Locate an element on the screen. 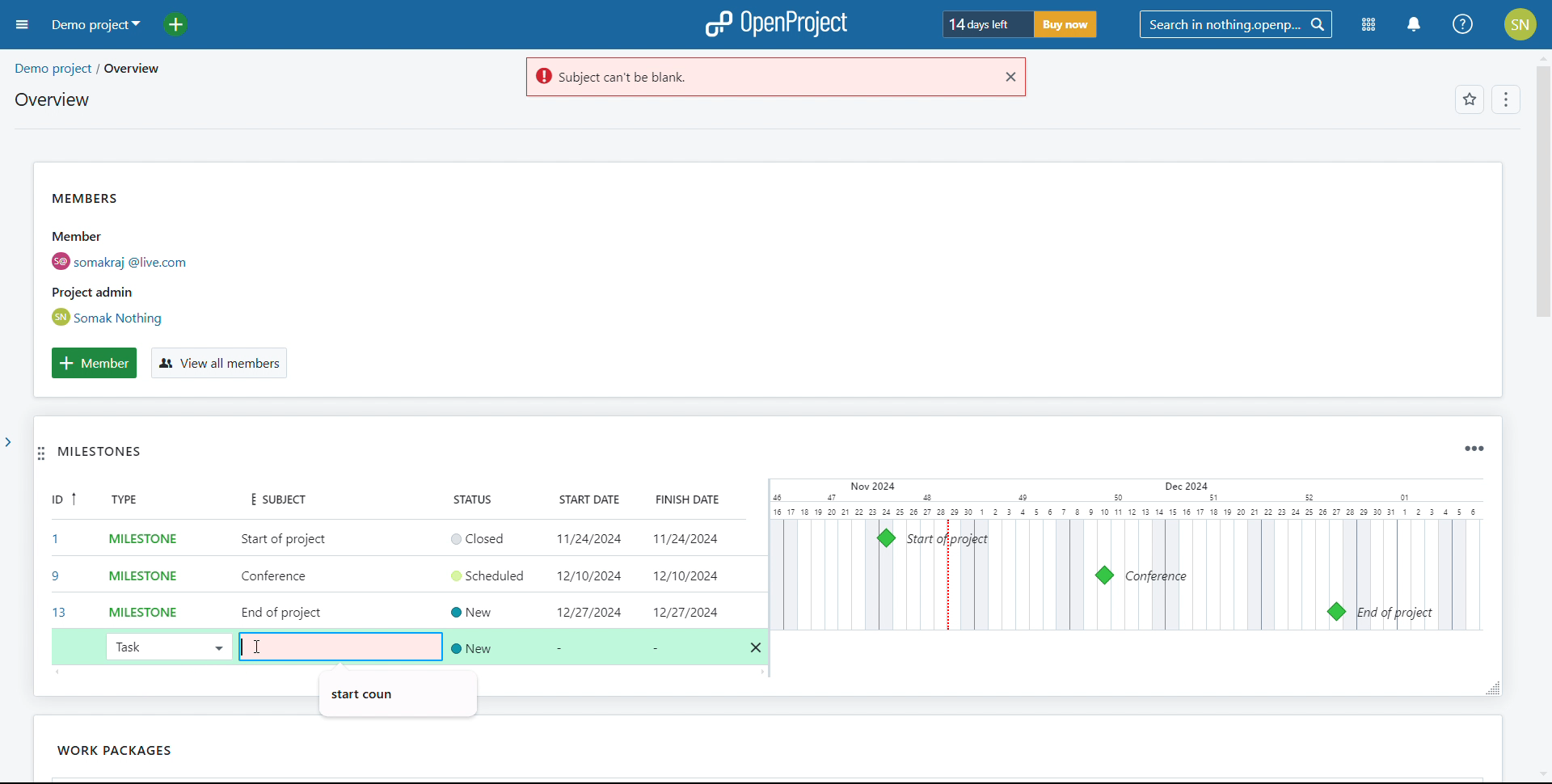 Image resolution: width=1552 pixels, height=784 pixels. type is located at coordinates (134, 501).